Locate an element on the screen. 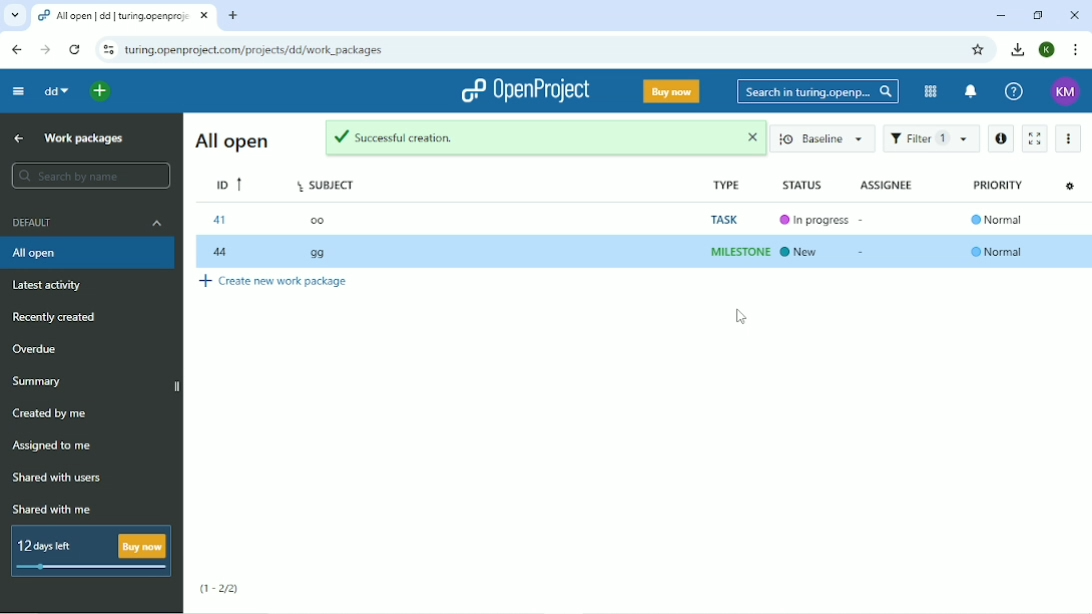 This screenshot has height=614, width=1092. Configure view is located at coordinates (1070, 188).